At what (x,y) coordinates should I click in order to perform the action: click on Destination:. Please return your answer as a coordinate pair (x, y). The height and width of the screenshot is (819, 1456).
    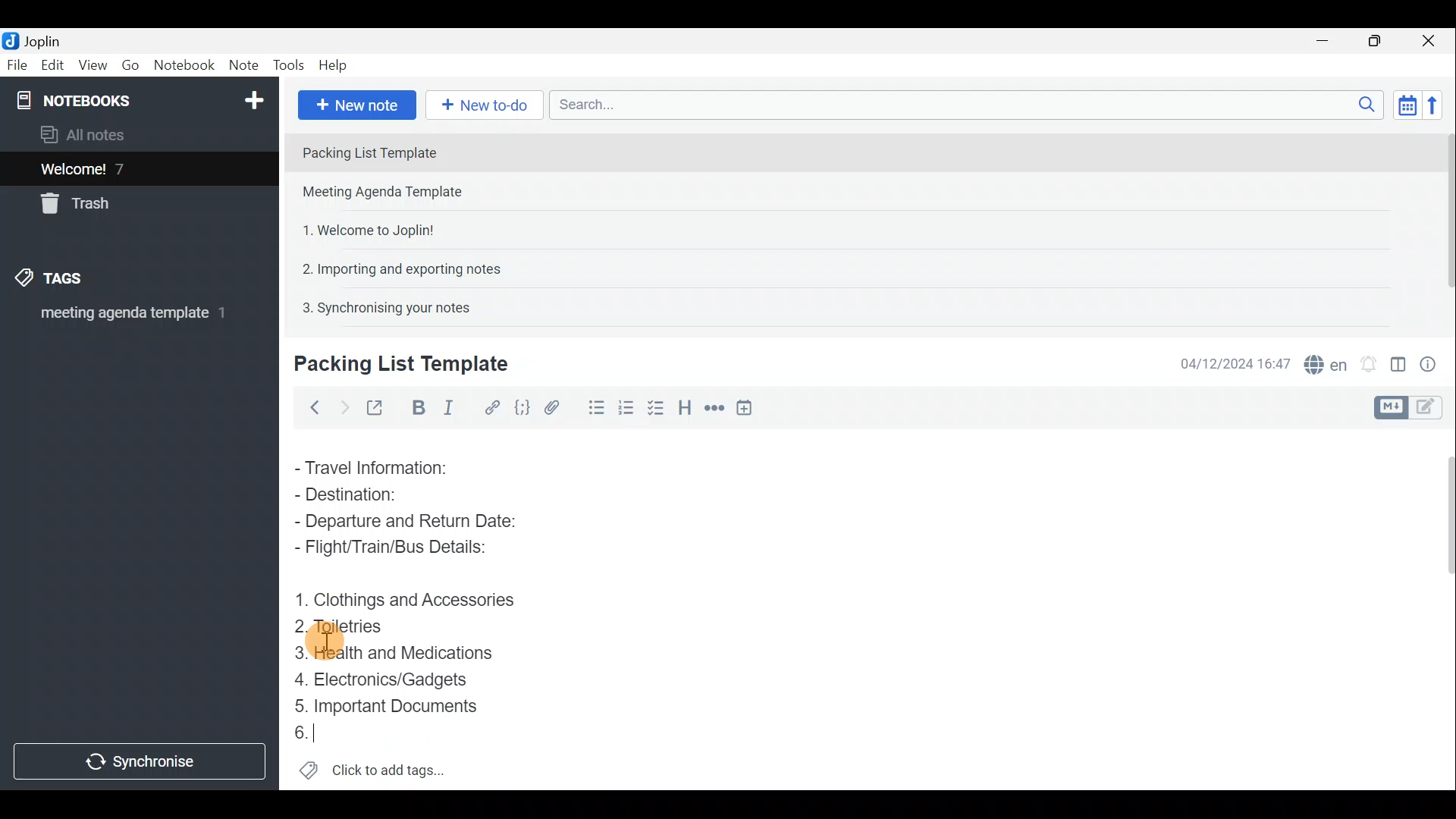
    Looking at the image, I should click on (378, 494).